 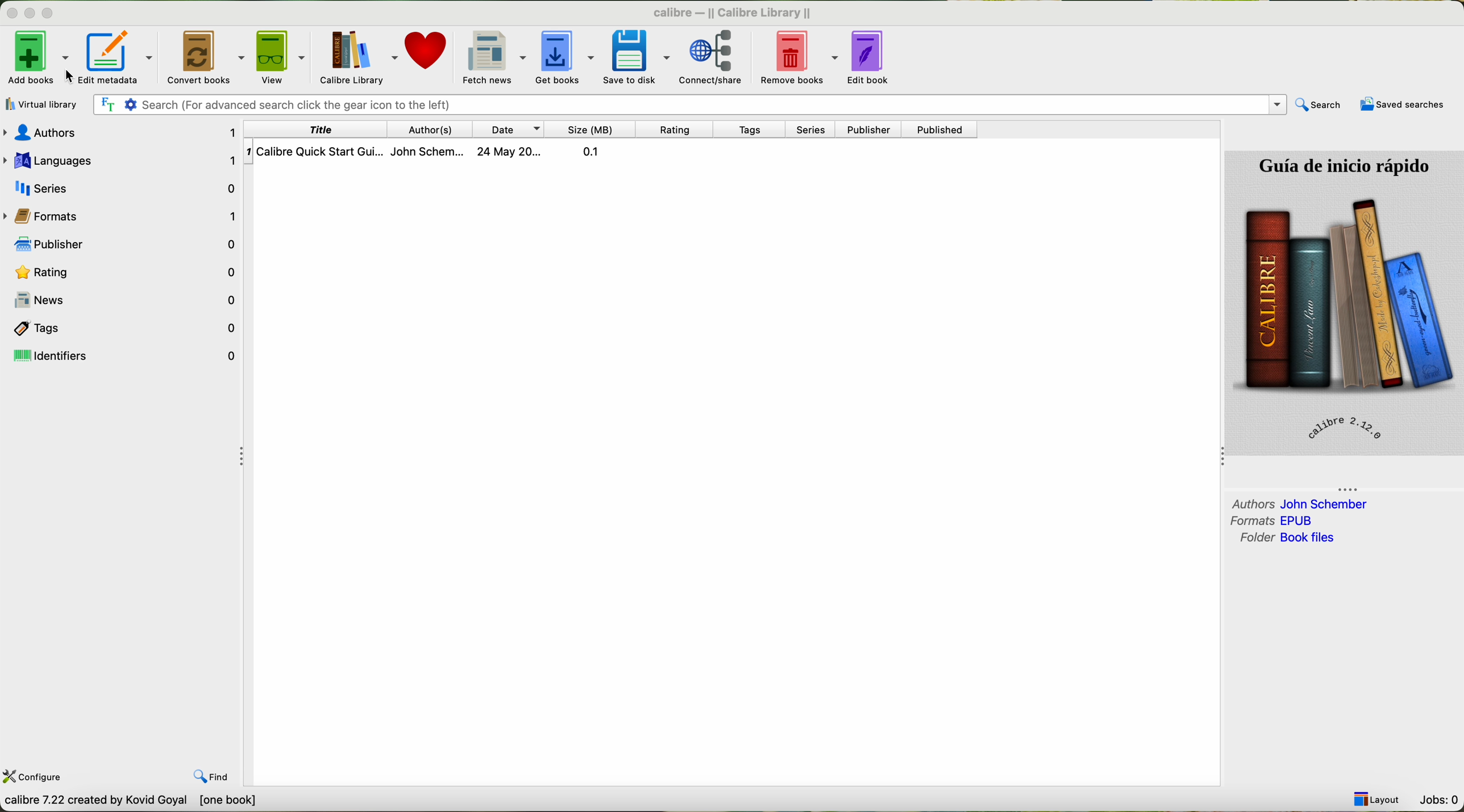 I want to click on tags, so click(x=748, y=131).